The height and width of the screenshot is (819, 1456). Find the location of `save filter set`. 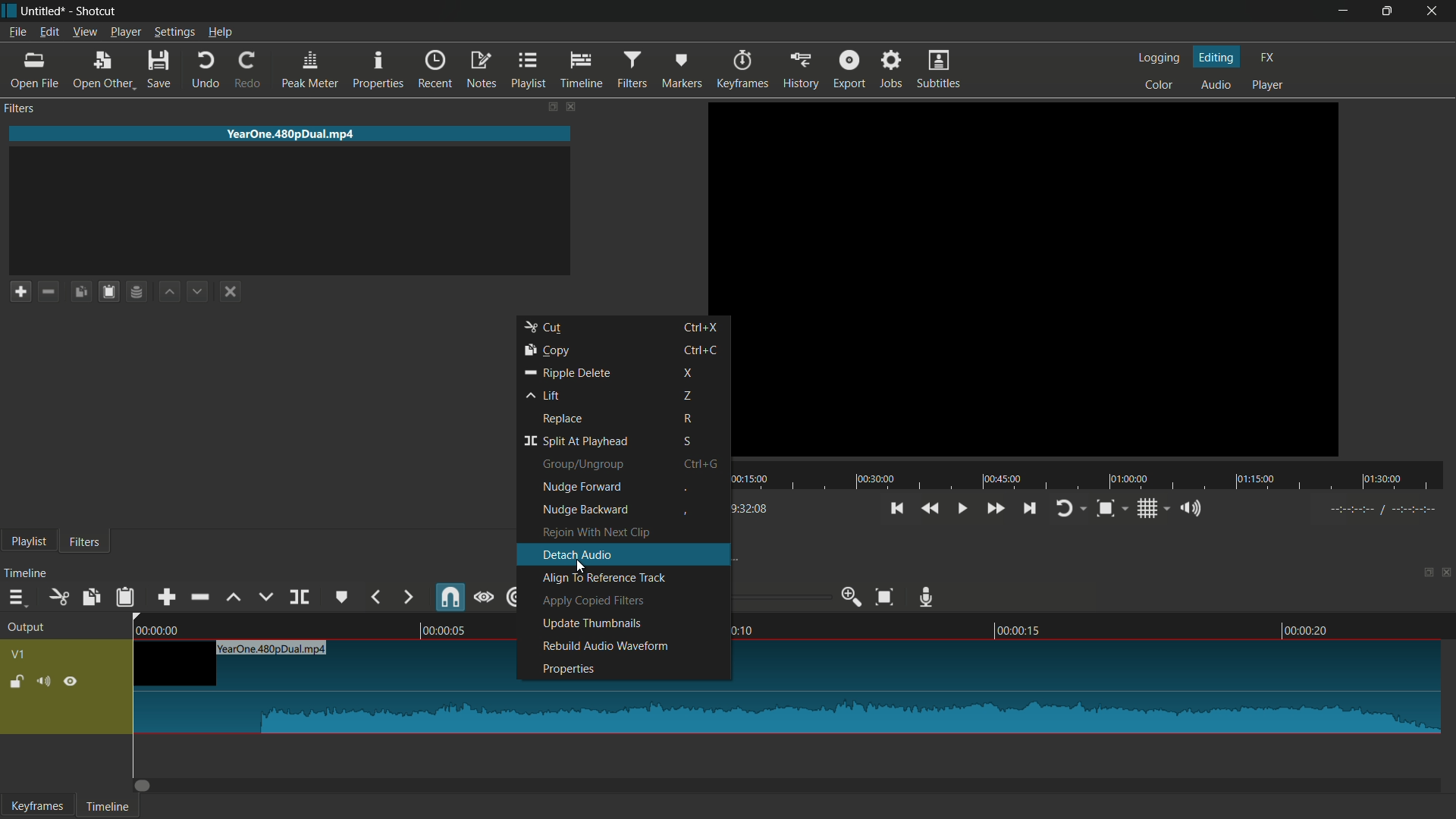

save filter set is located at coordinates (138, 292).